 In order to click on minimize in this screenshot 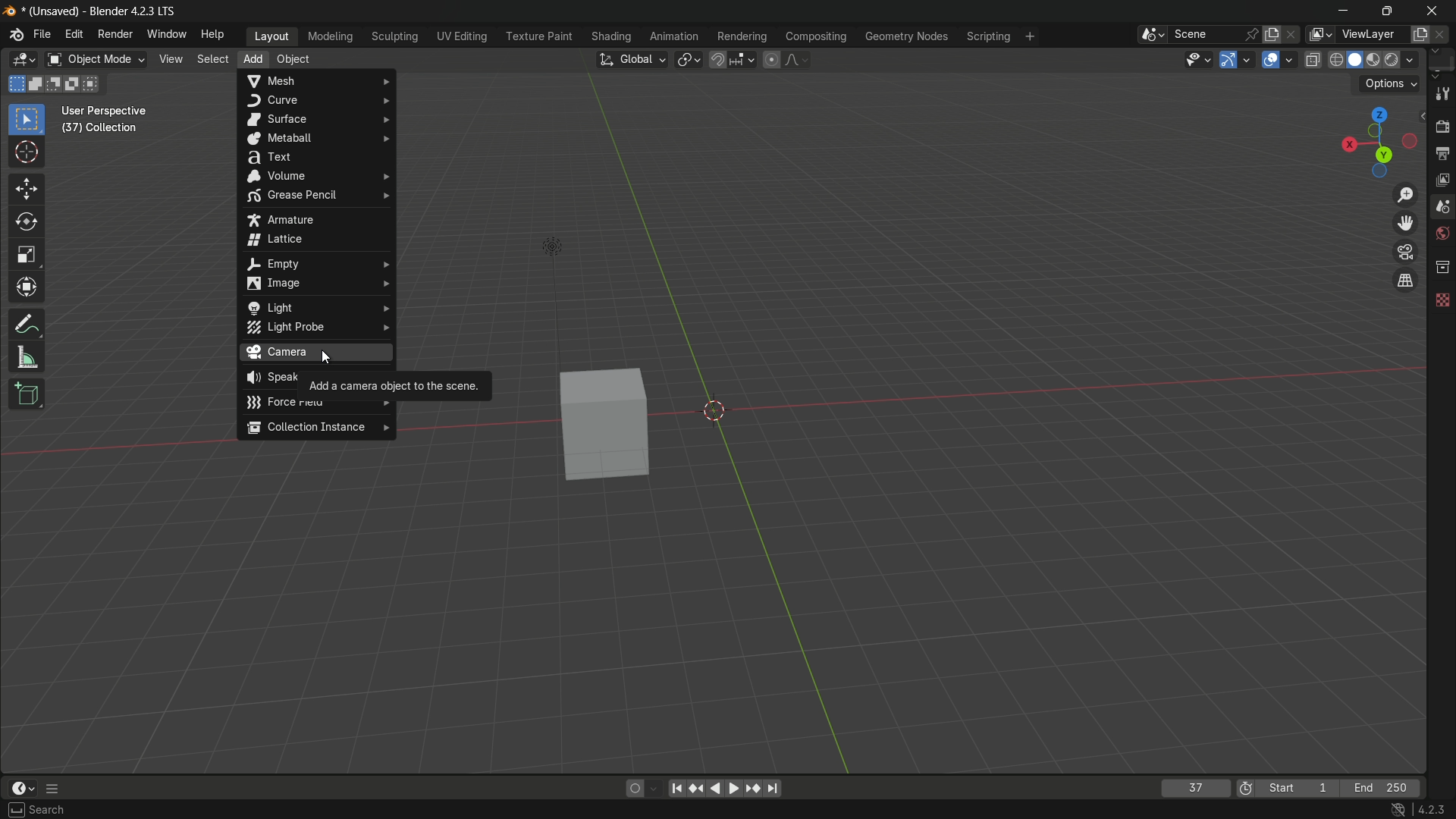, I will do `click(1338, 11)`.